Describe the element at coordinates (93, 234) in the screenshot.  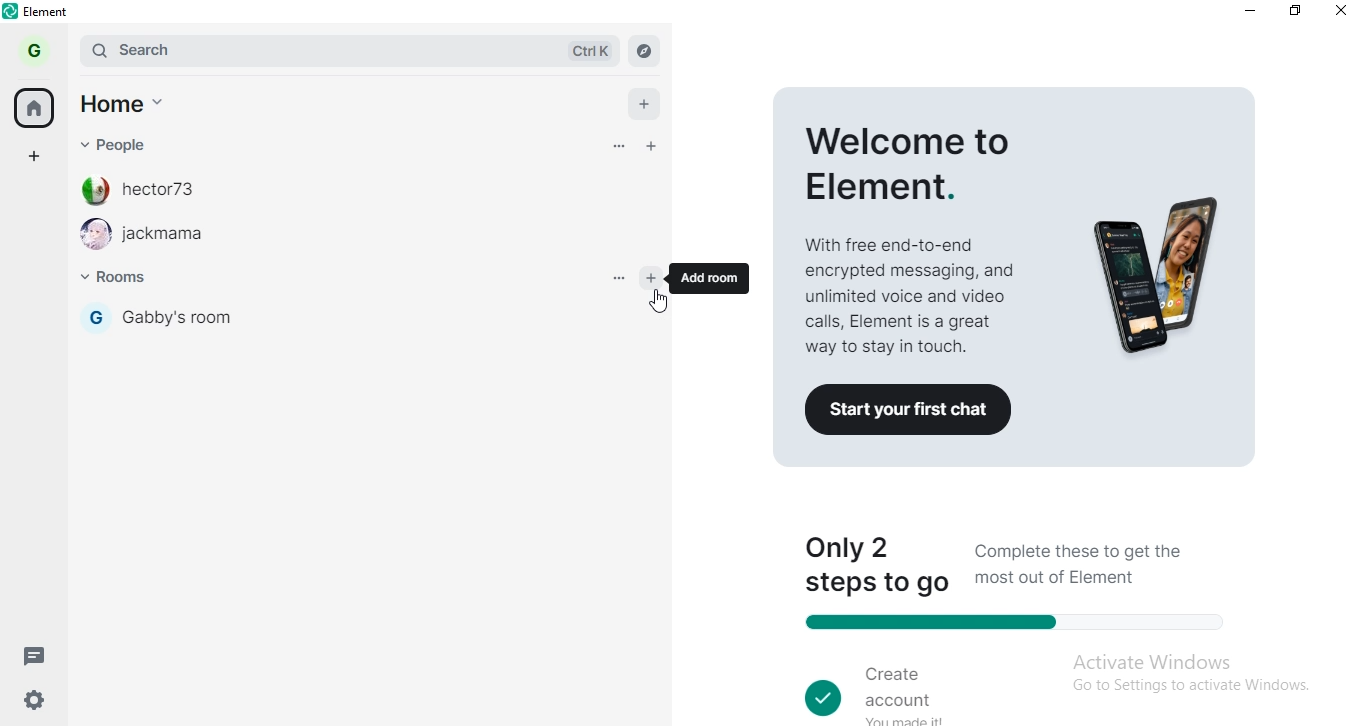
I see `profile image` at that location.